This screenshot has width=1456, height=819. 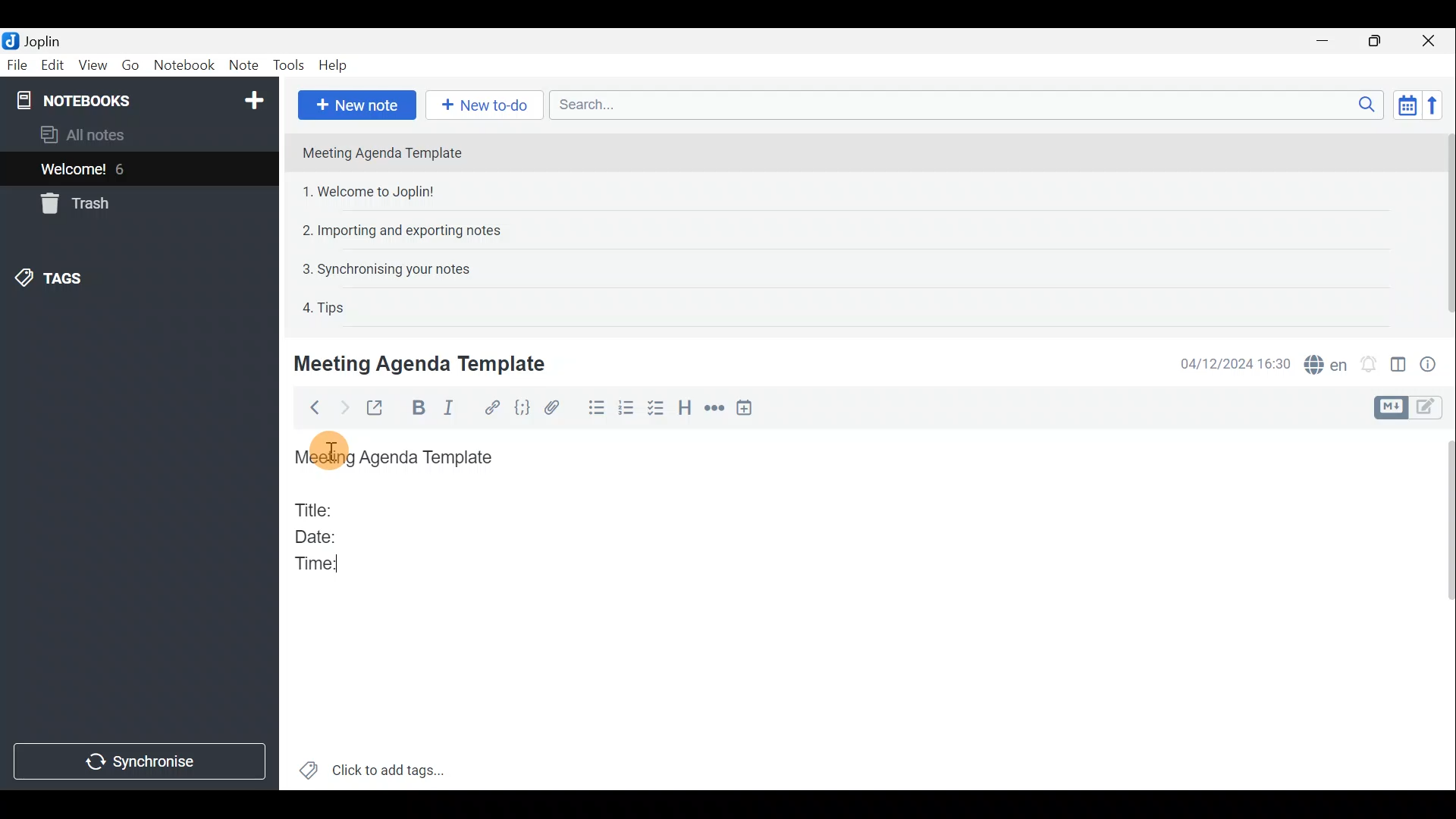 I want to click on 2. Importing and exporting notes, so click(x=407, y=231).